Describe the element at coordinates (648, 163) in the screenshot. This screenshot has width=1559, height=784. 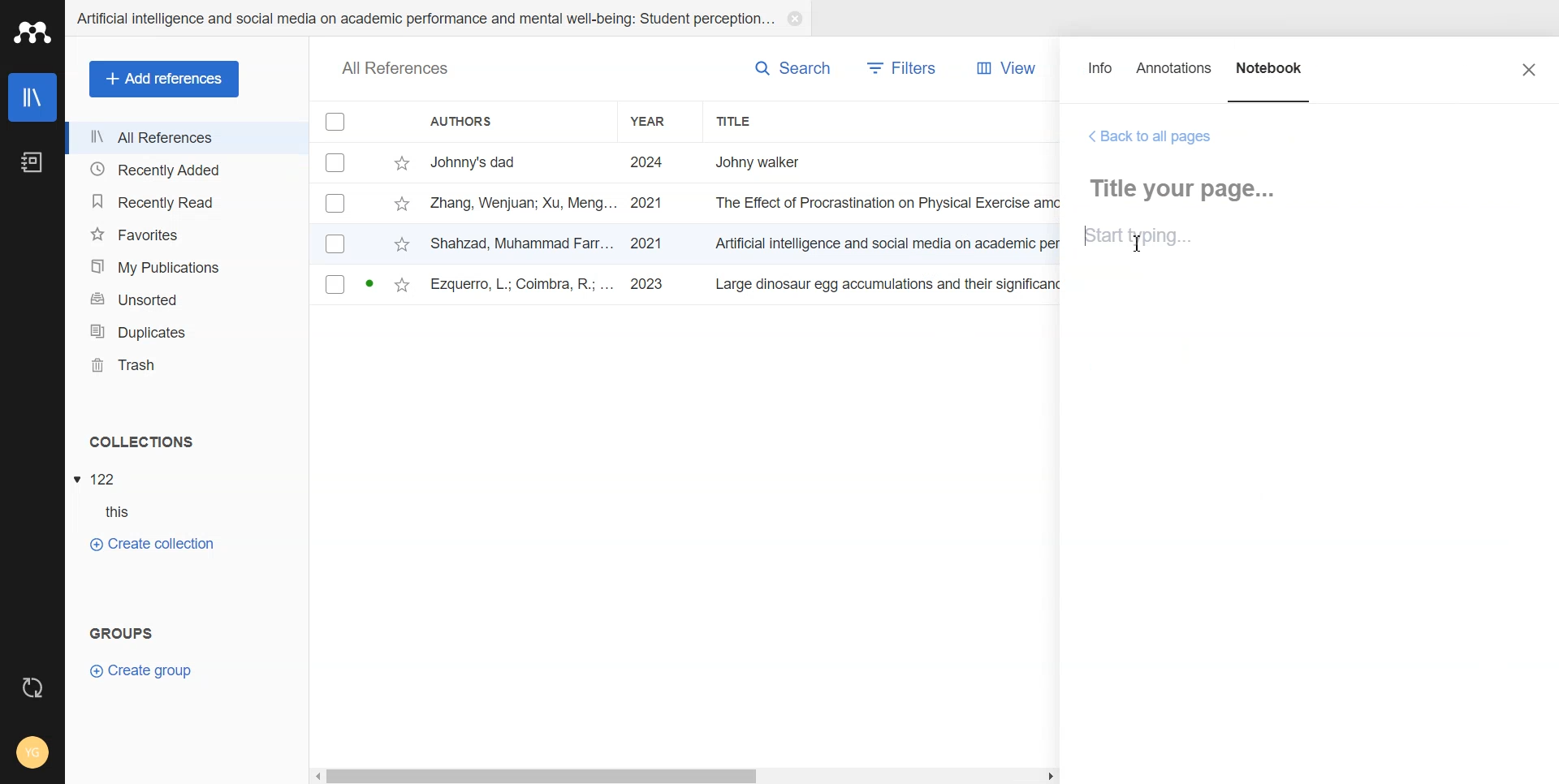
I see `2024` at that location.